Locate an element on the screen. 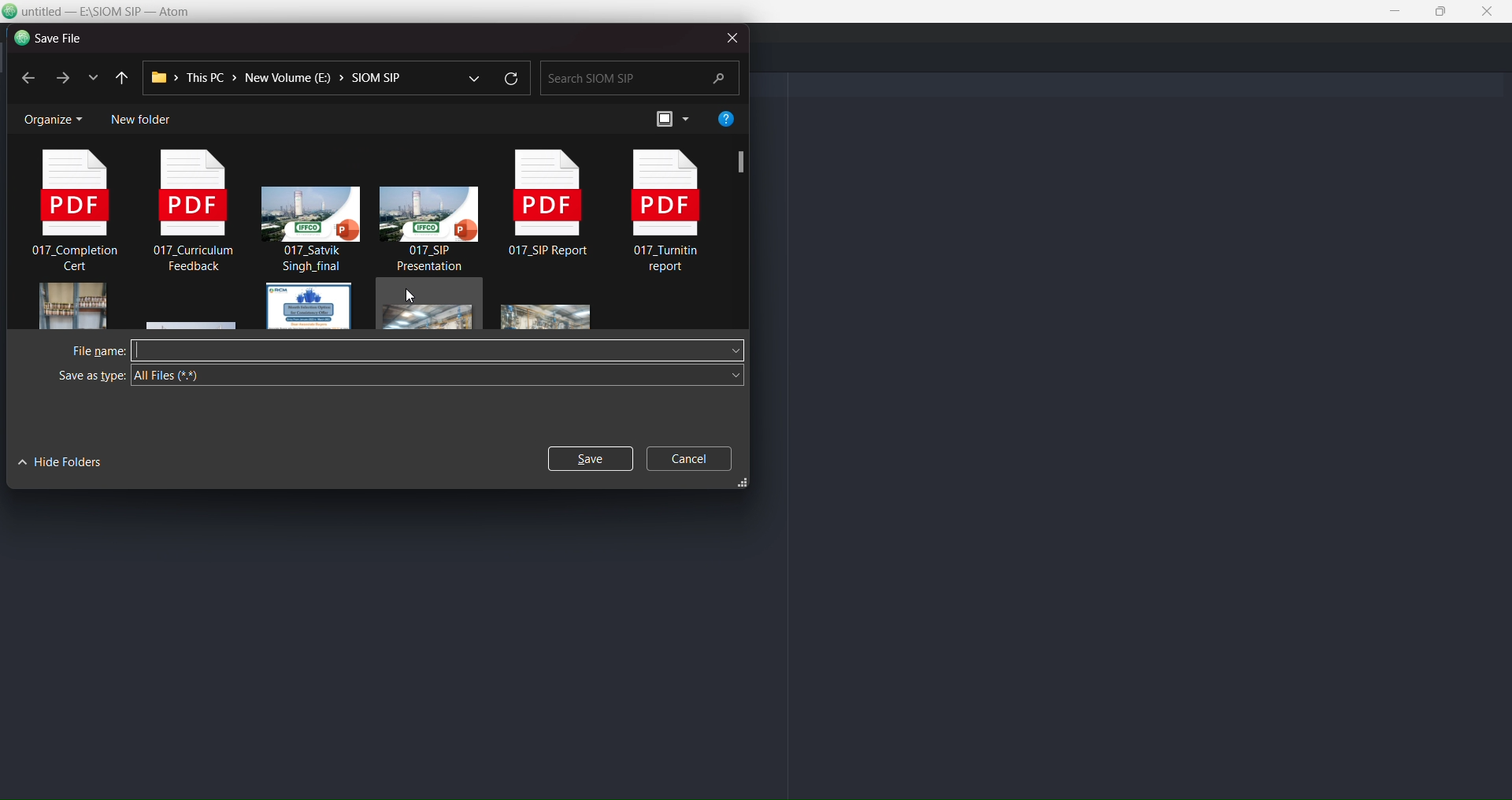 This screenshot has height=800, width=1512. previous is located at coordinates (124, 78).